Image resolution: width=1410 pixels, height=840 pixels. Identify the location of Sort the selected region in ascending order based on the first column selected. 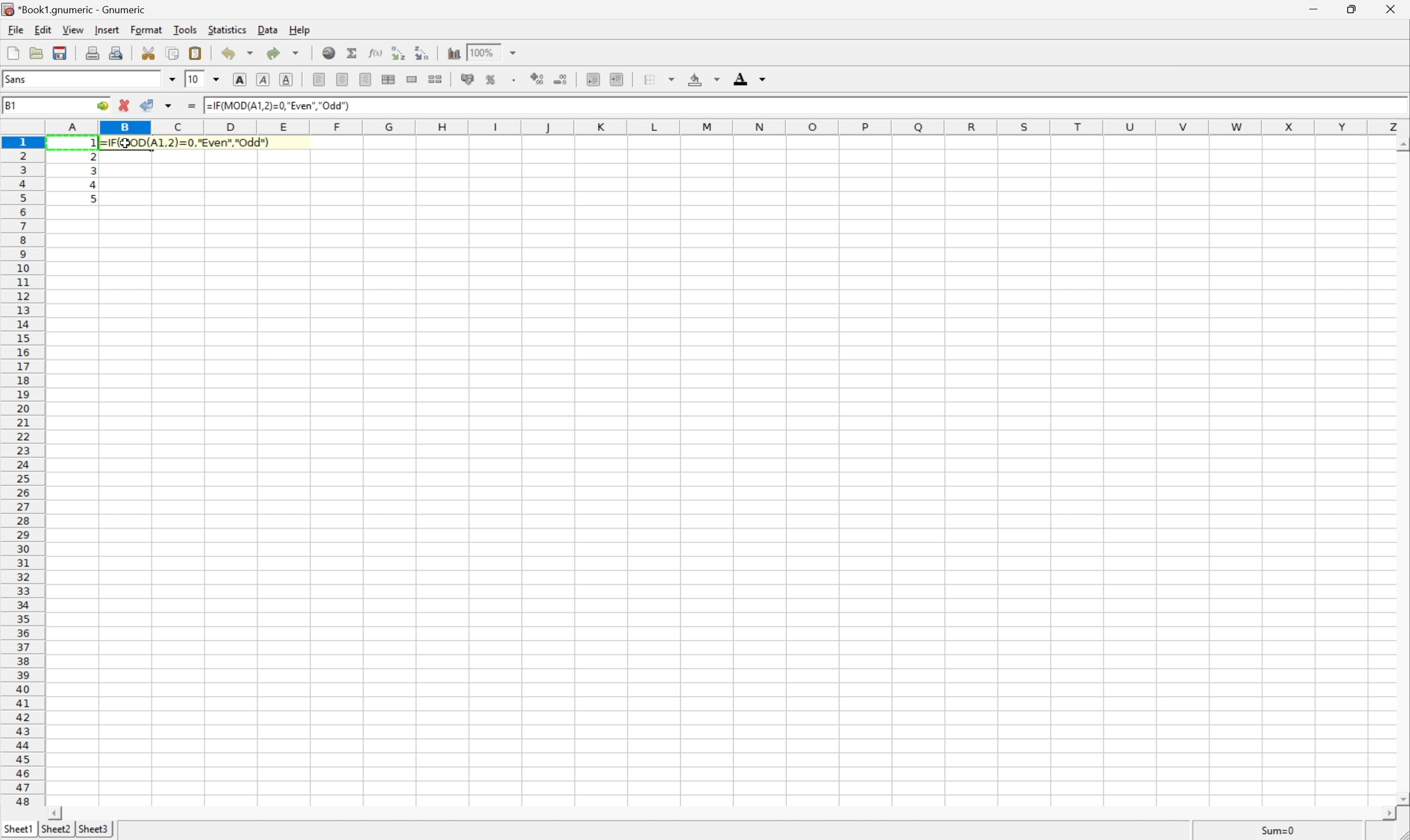
(398, 53).